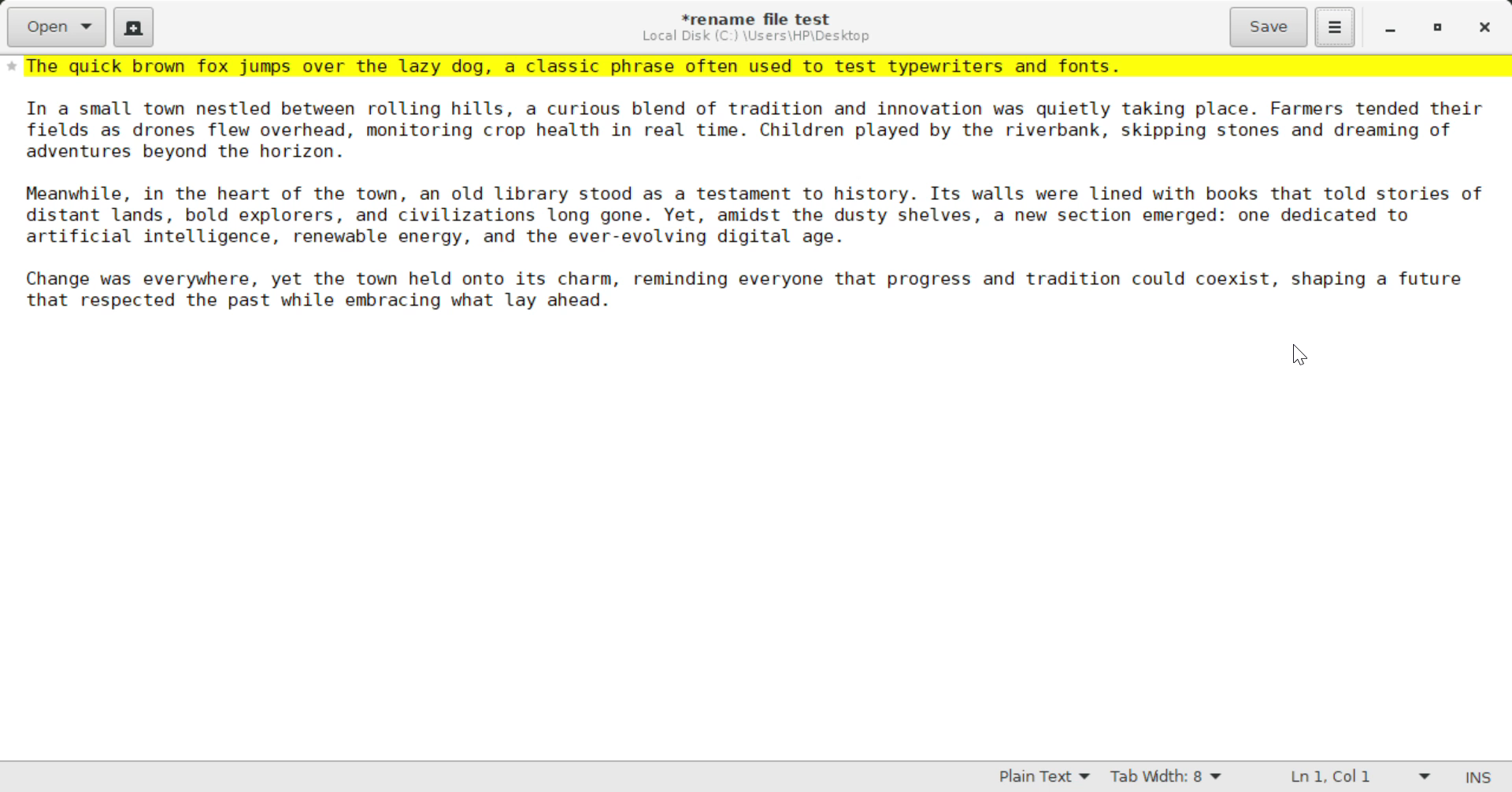 The width and height of the screenshot is (1512, 792). I want to click on File Location, so click(757, 39).